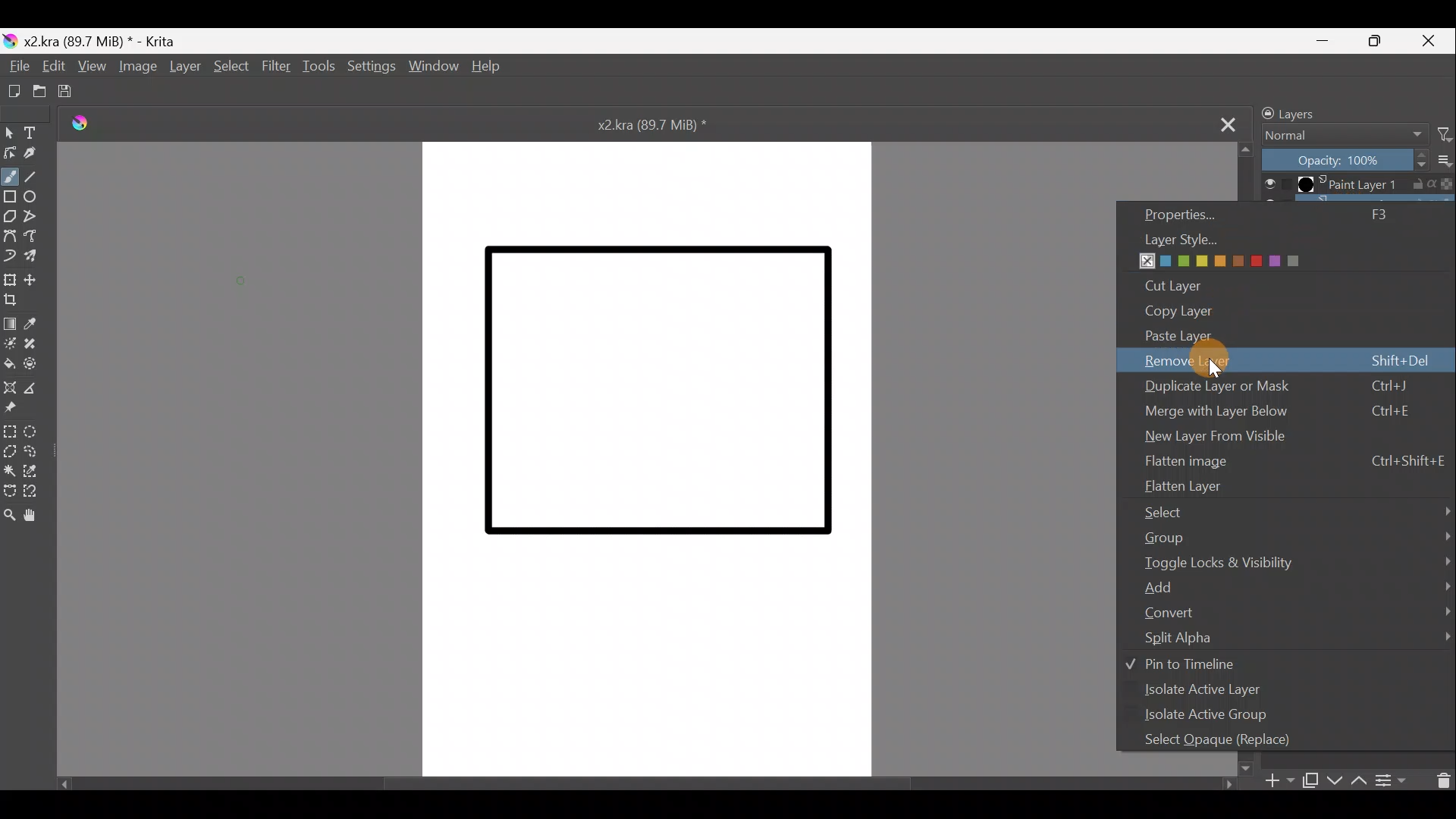 The image size is (1456, 819). I want to click on Elliptical selection tool, so click(36, 431).